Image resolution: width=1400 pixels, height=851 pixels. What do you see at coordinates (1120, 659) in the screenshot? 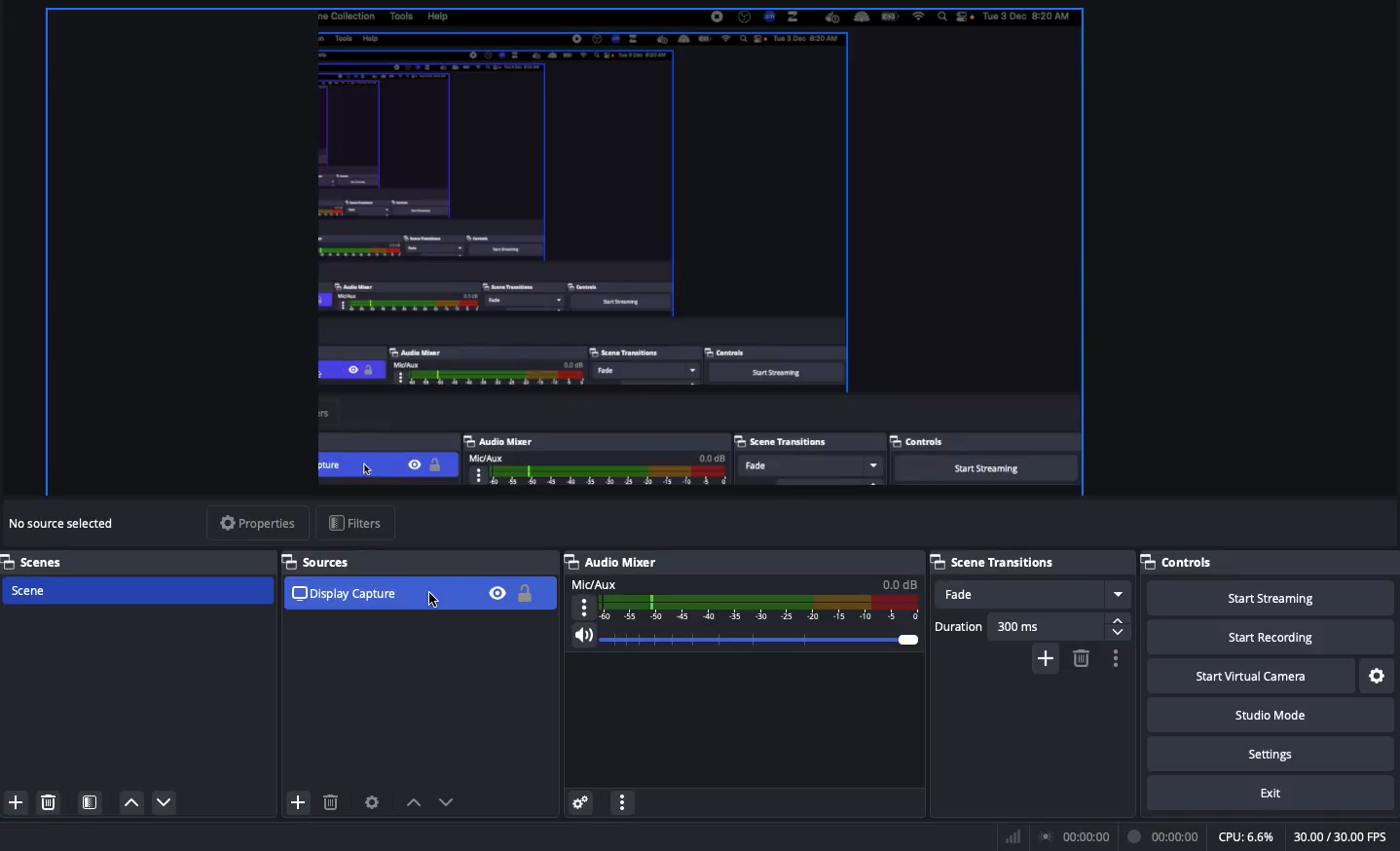
I see `options` at bounding box center [1120, 659].